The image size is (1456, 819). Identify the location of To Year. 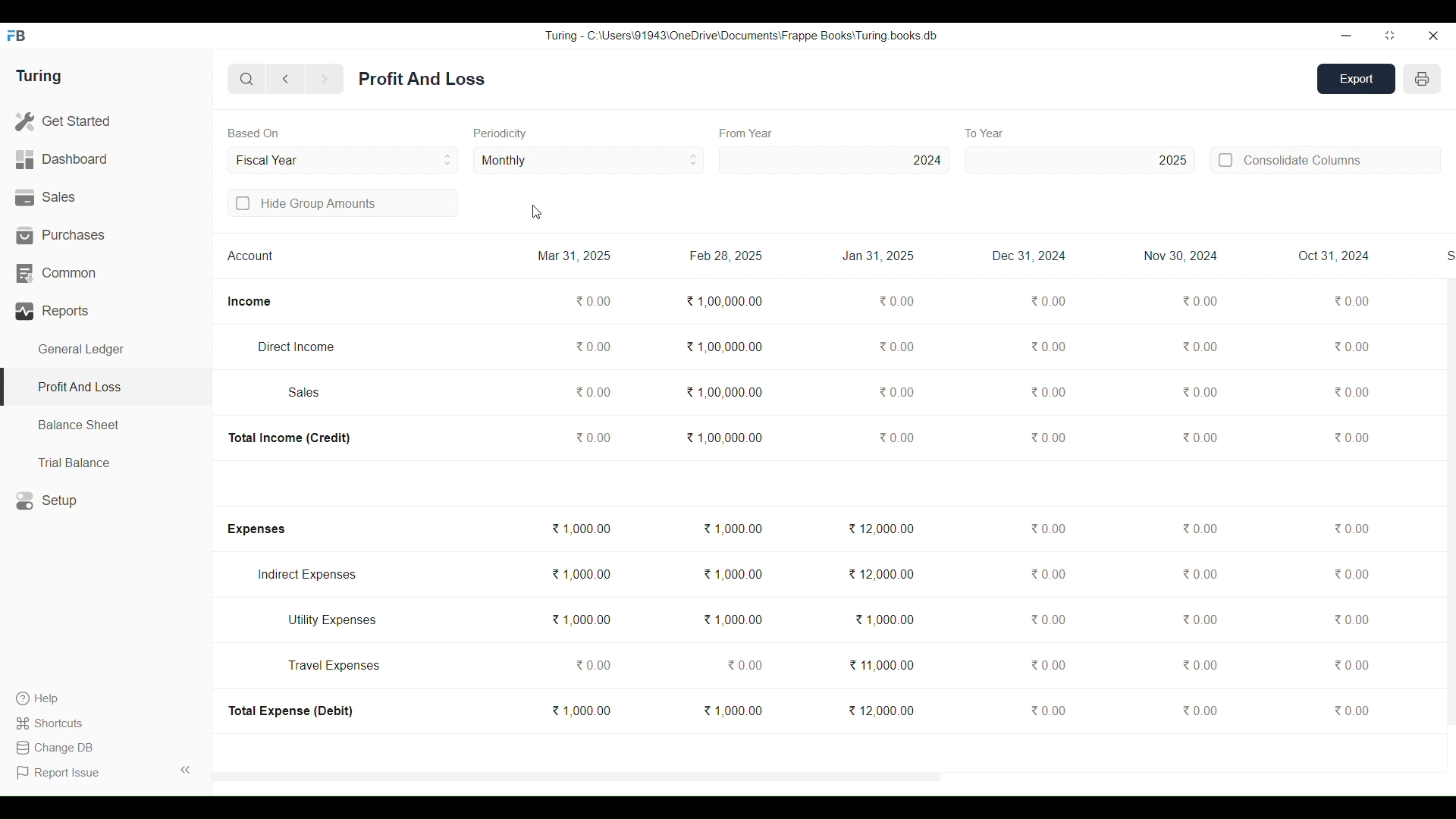
(986, 133).